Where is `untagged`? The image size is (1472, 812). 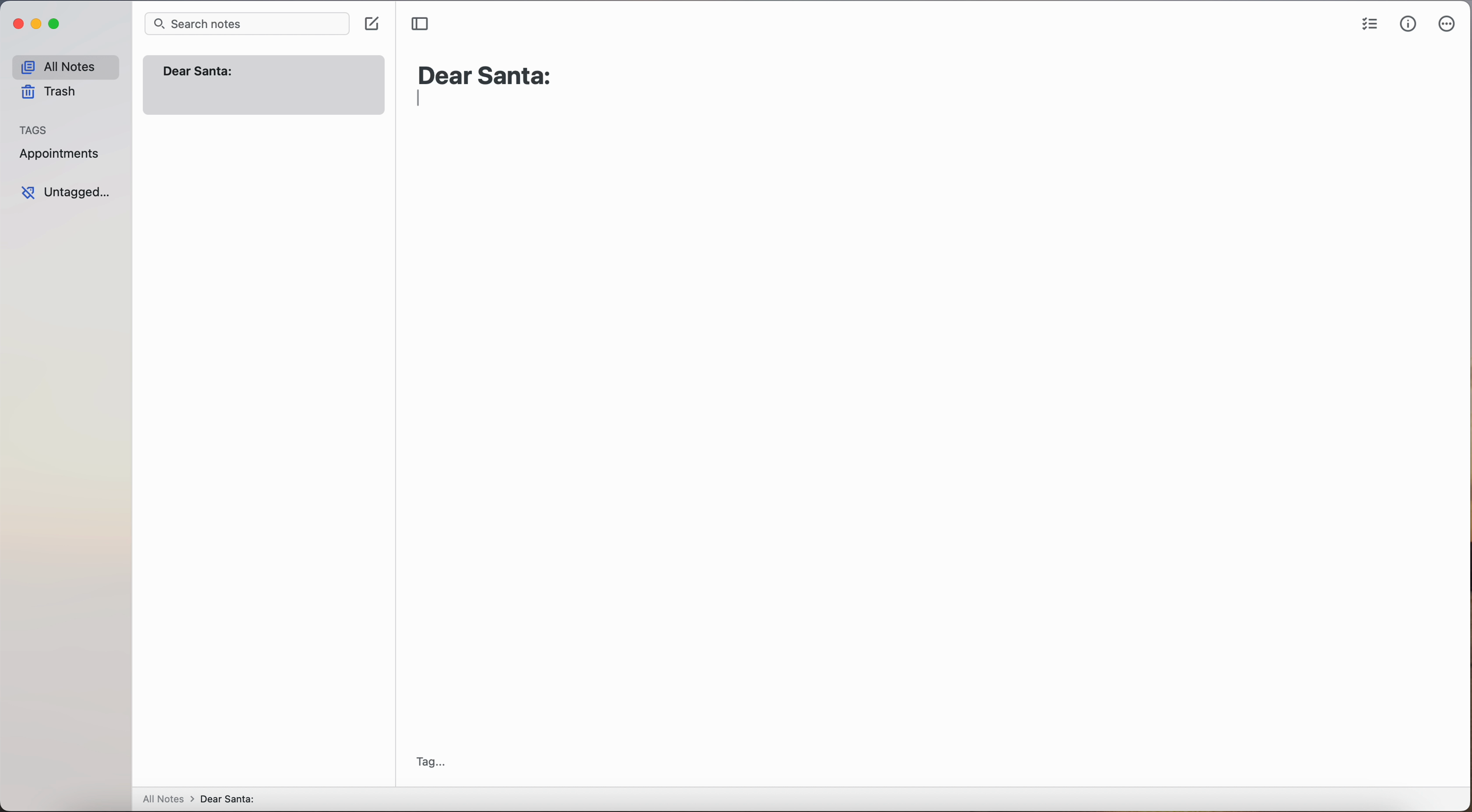
untagged is located at coordinates (71, 193).